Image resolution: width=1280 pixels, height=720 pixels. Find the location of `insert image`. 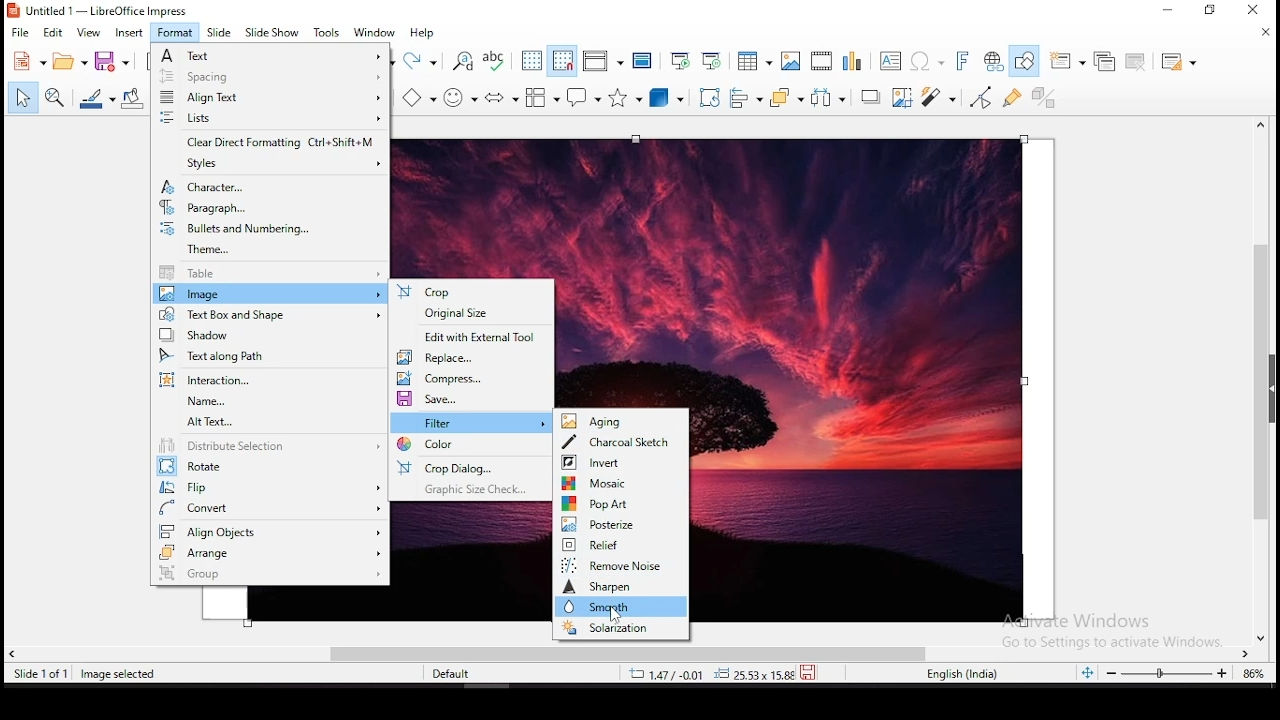

insert image is located at coordinates (792, 62).